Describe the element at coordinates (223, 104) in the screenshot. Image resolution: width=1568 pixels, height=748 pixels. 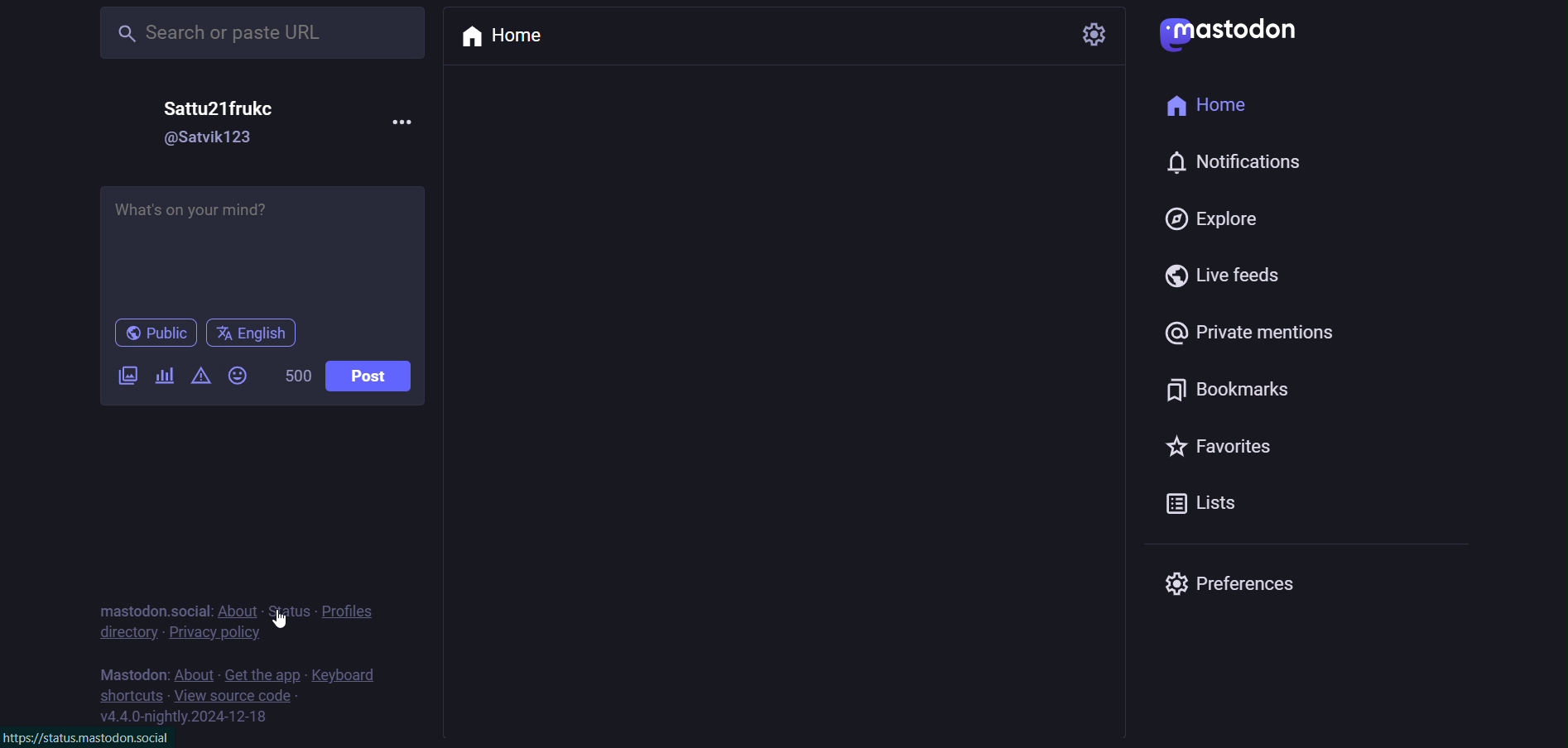
I see `name` at that location.